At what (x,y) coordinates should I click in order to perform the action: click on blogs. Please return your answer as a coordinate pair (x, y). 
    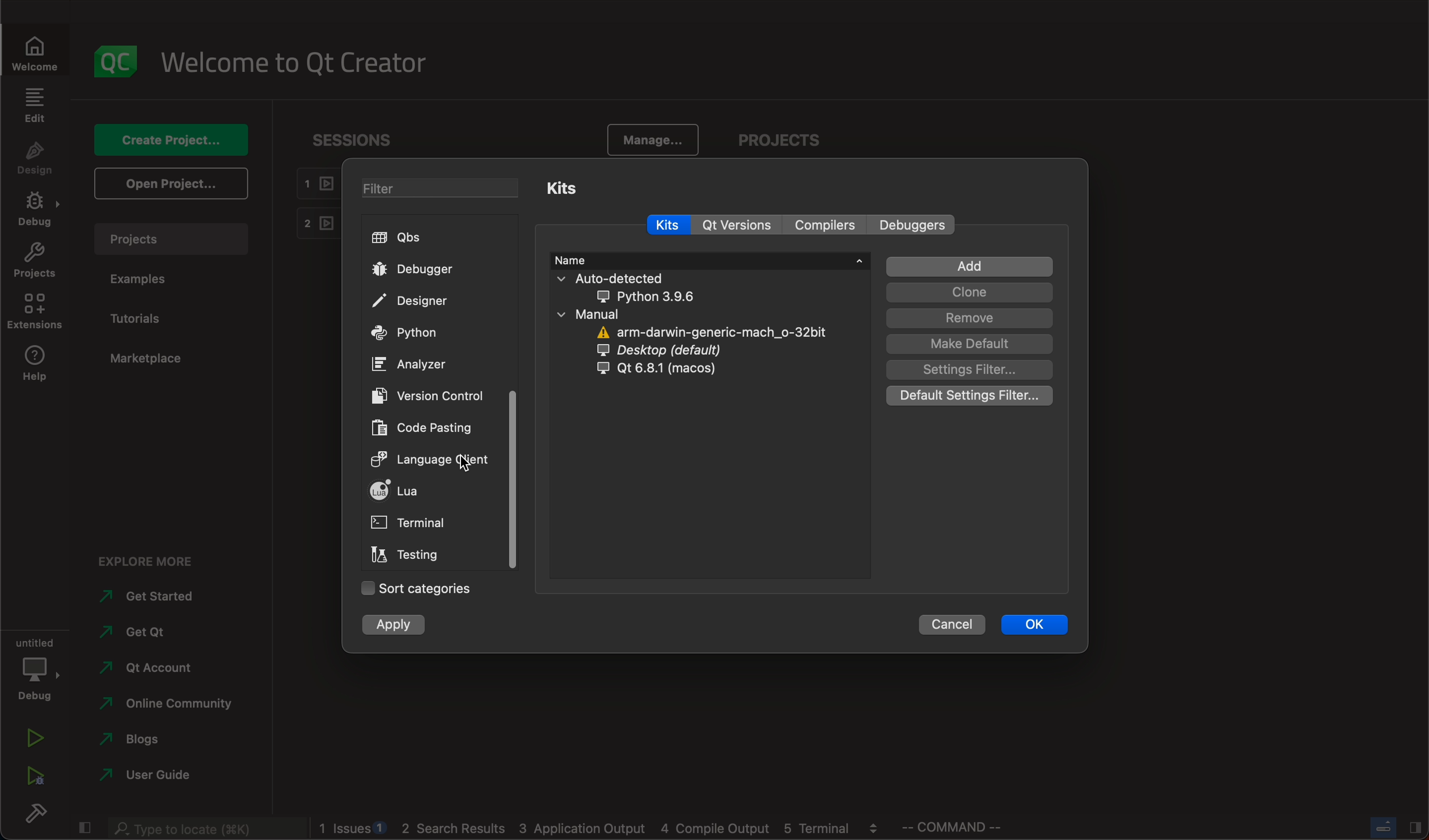
    Looking at the image, I should click on (164, 740).